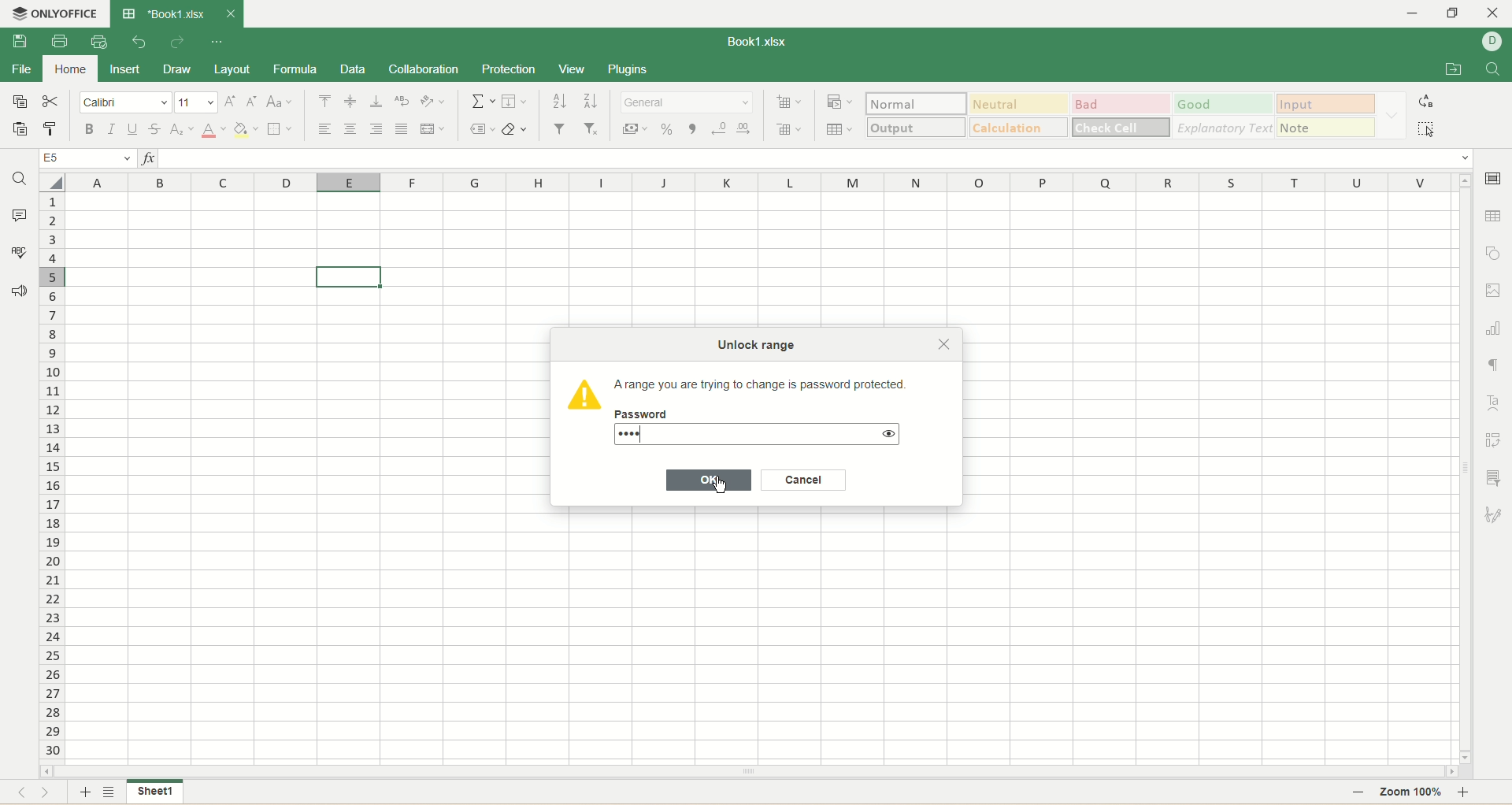 Image resolution: width=1512 pixels, height=805 pixels. Describe the element at coordinates (402, 101) in the screenshot. I see `wrap text` at that location.